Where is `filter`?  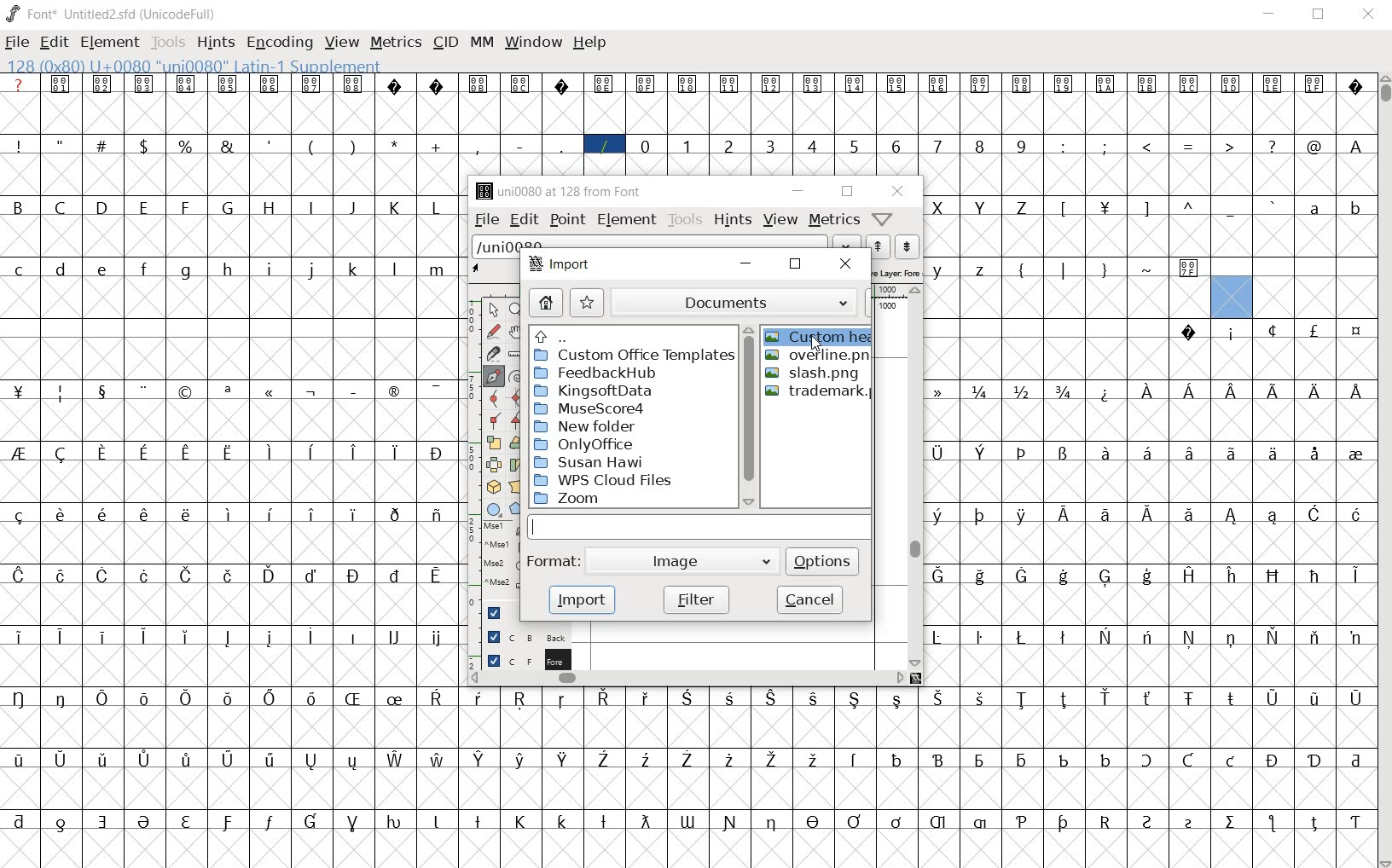
filter is located at coordinates (696, 599).